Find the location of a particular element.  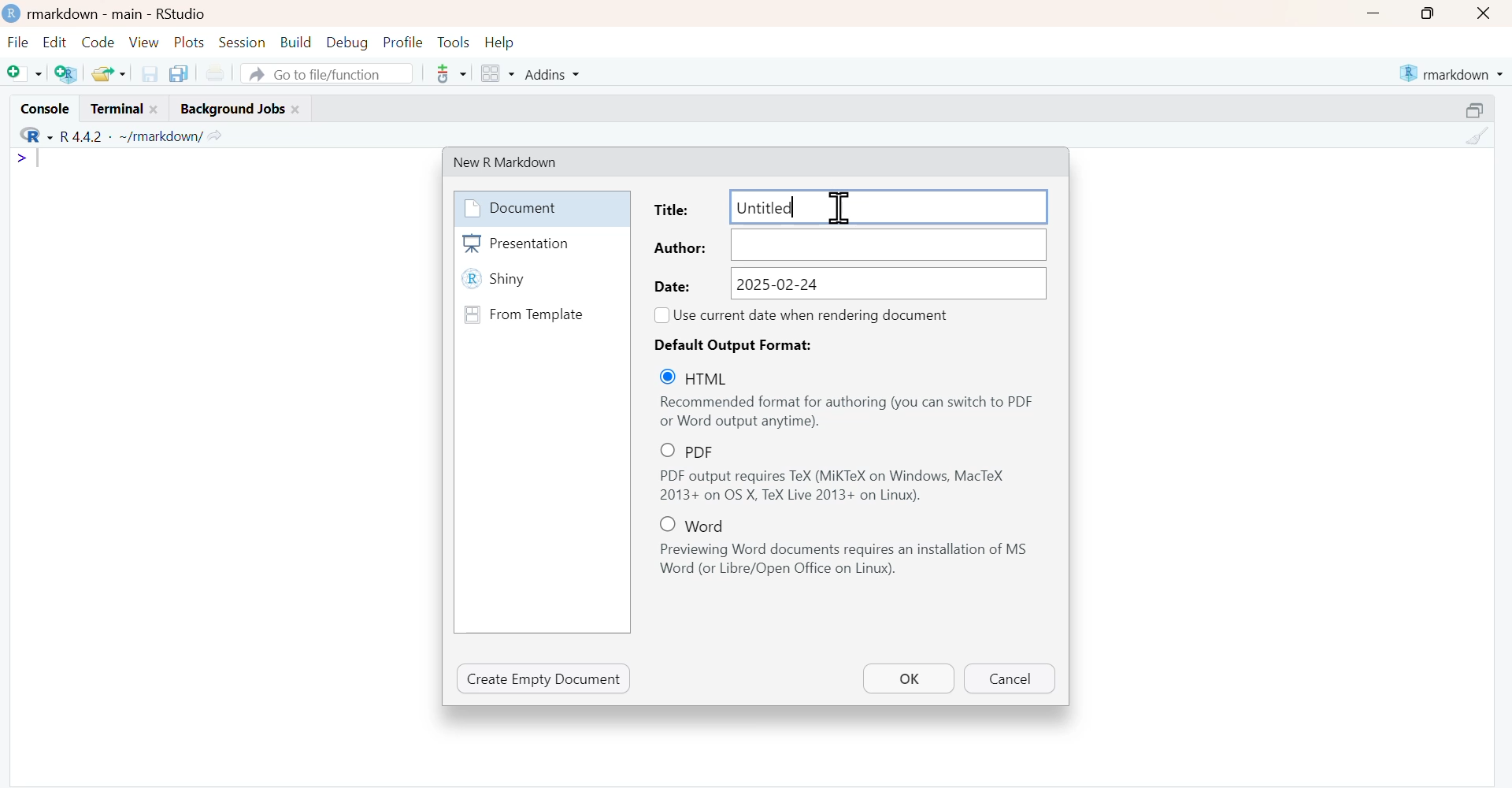

new R Markdown is located at coordinates (517, 161).